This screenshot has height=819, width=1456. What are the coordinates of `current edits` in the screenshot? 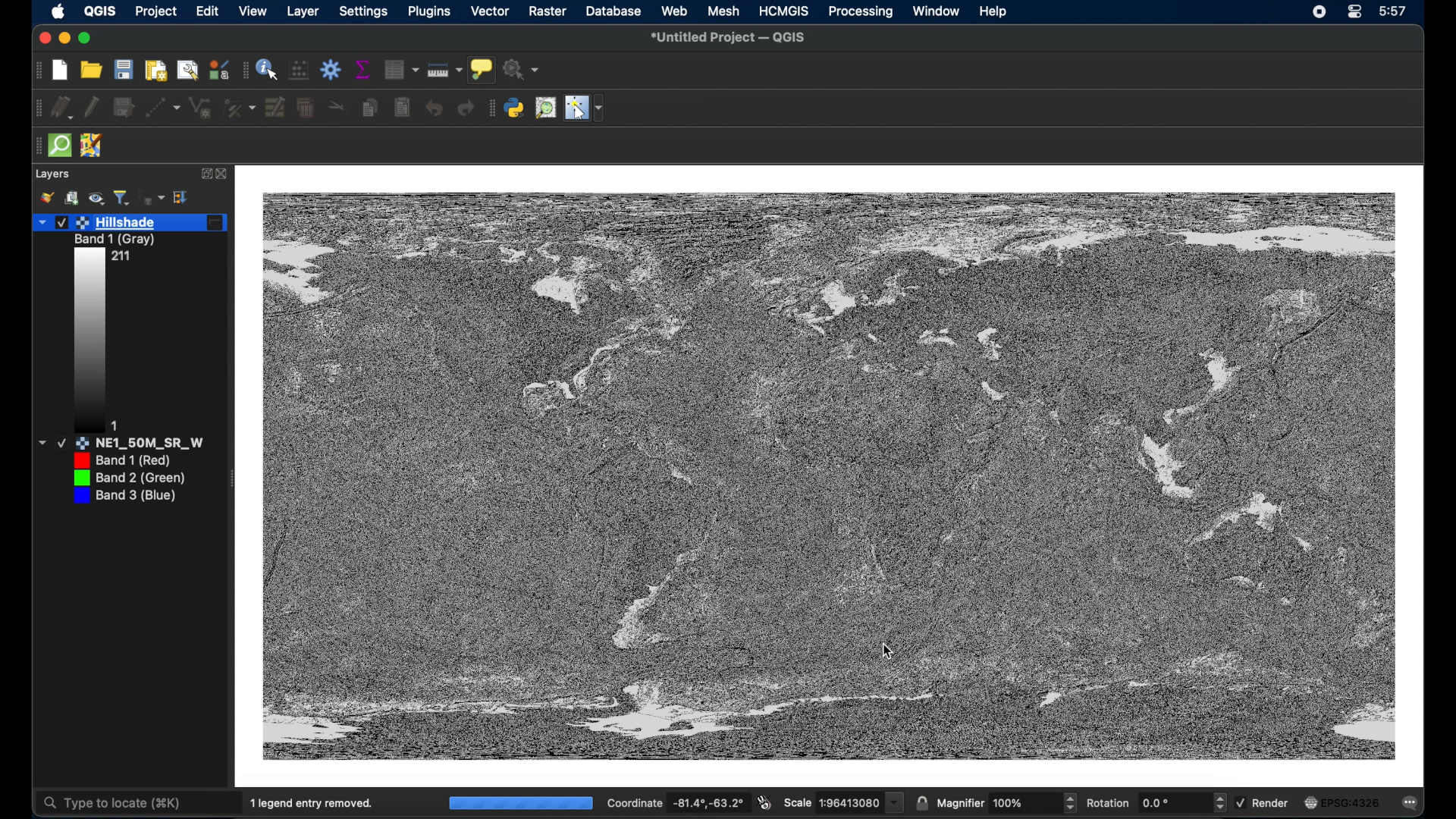 It's located at (63, 107).